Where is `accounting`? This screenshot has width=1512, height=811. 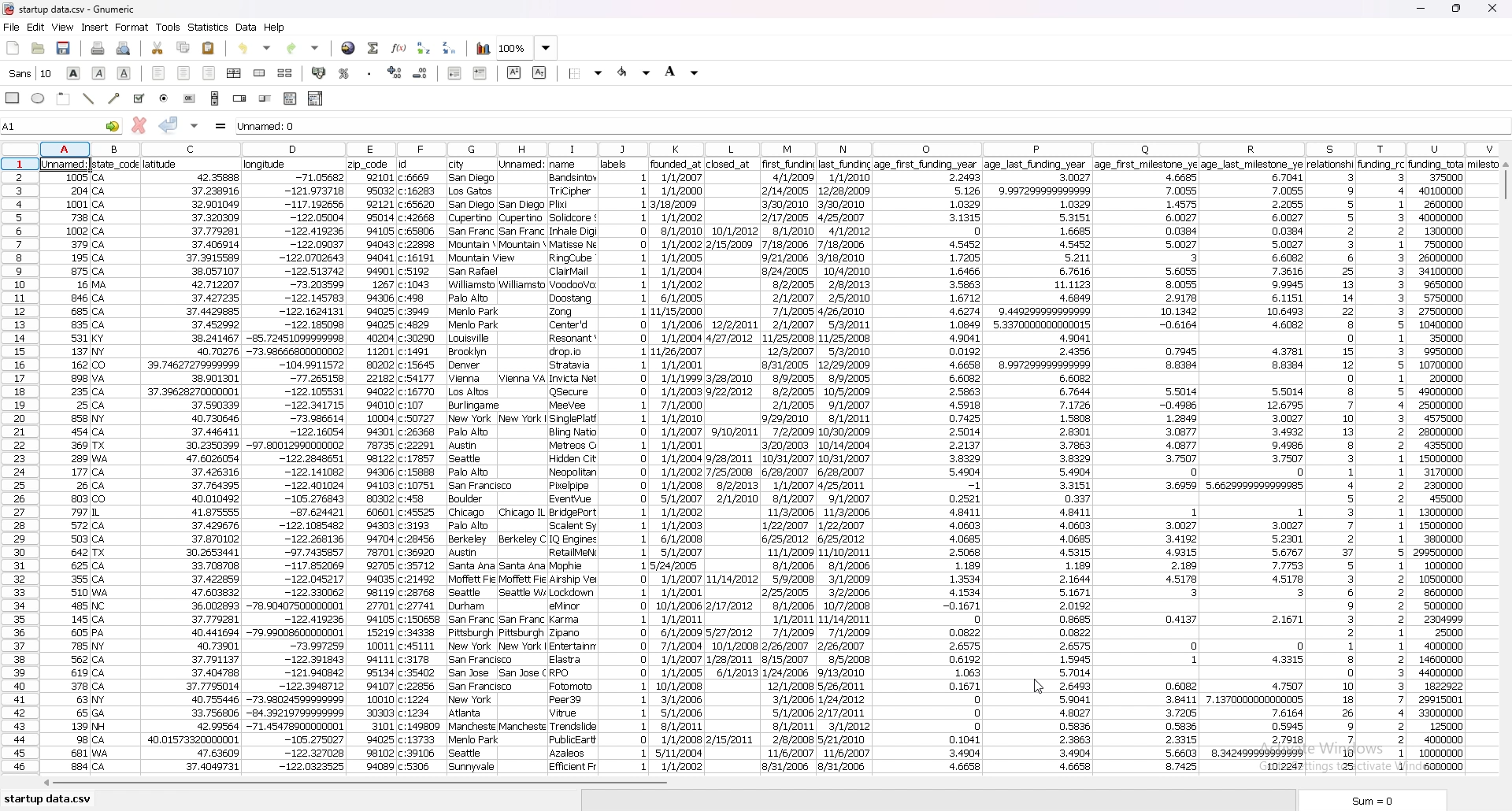
accounting is located at coordinates (318, 72).